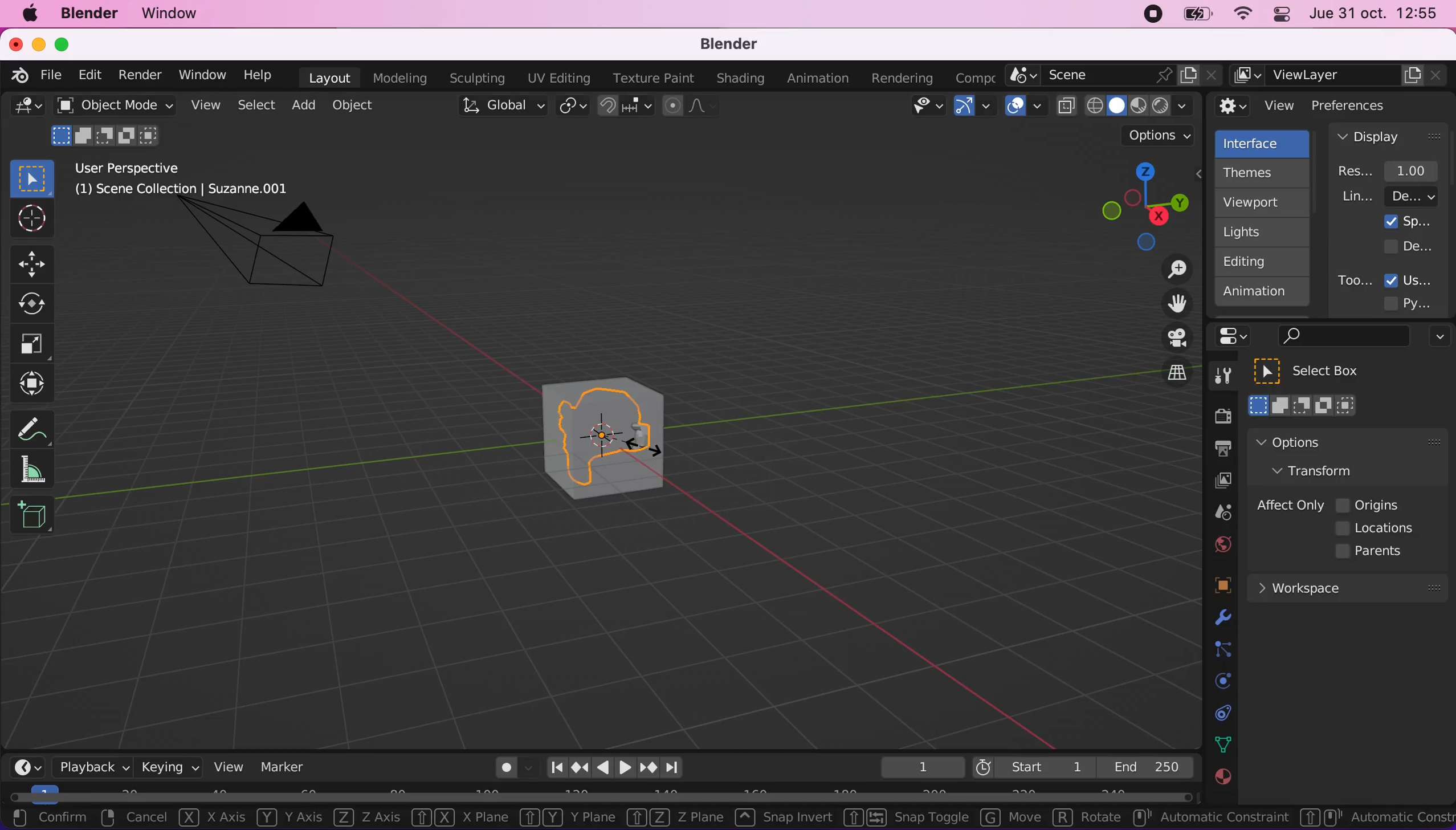 This screenshot has height=830, width=1456. I want to click on user perspective (1) scene collection | suzzane.001, so click(190, 180).